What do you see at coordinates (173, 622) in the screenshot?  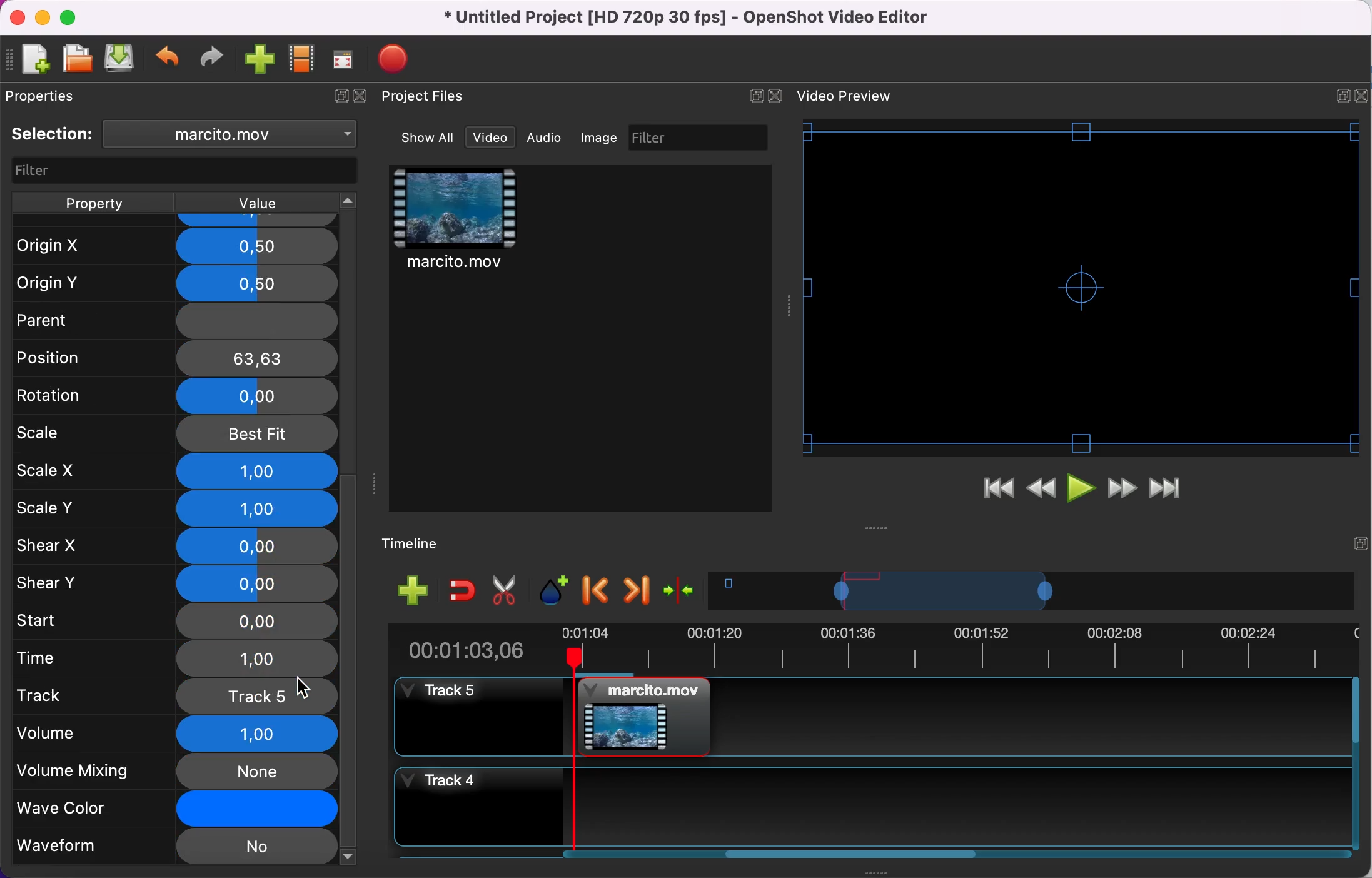 I see `start 0` at bounding box center [173, 622].